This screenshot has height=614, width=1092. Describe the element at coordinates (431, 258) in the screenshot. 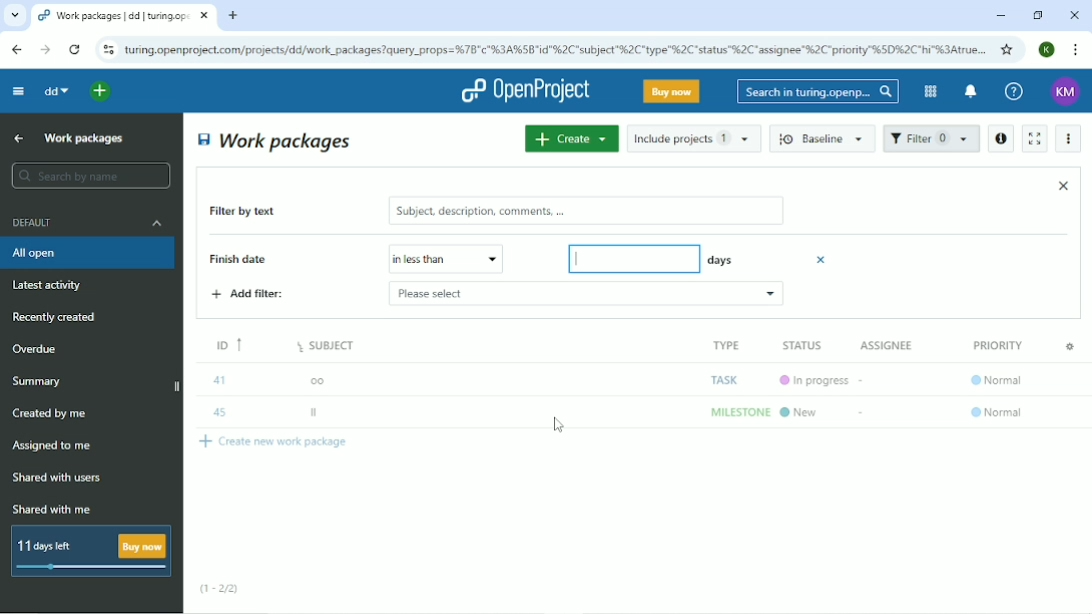

I see `Please select` at that location.